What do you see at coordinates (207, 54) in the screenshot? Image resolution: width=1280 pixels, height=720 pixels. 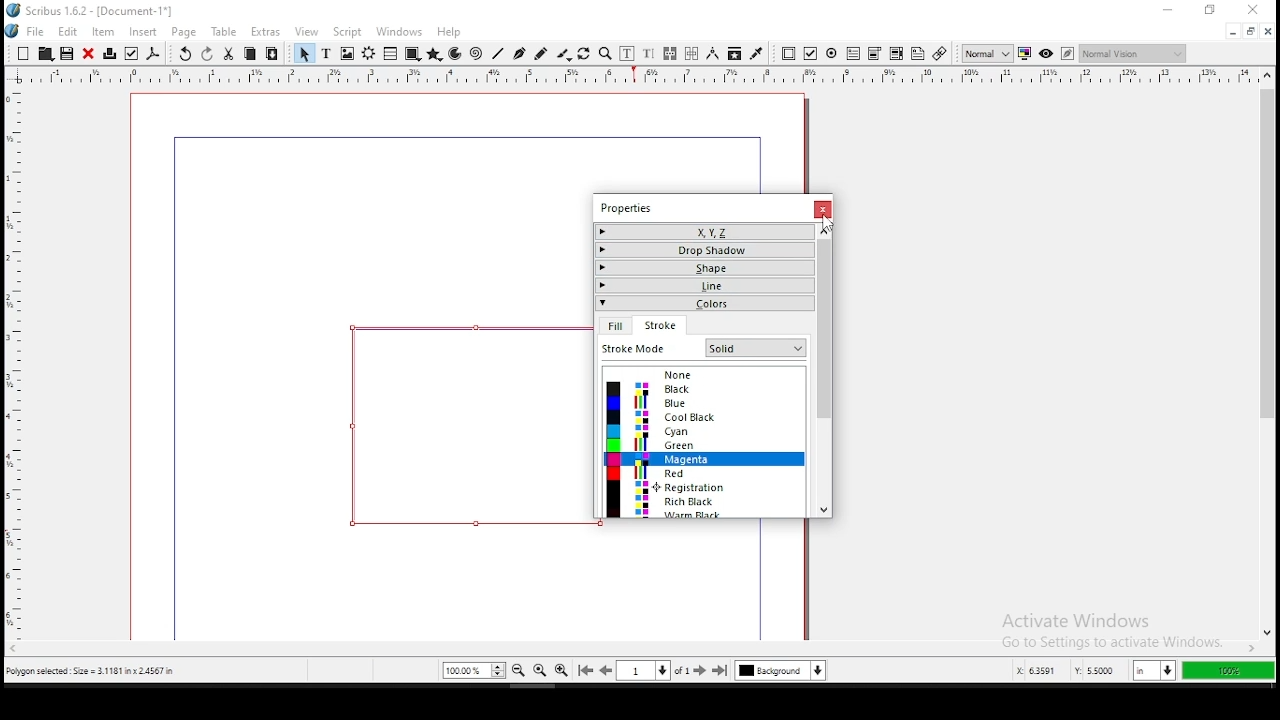 I see `redo` at bounding box center [207, 54].